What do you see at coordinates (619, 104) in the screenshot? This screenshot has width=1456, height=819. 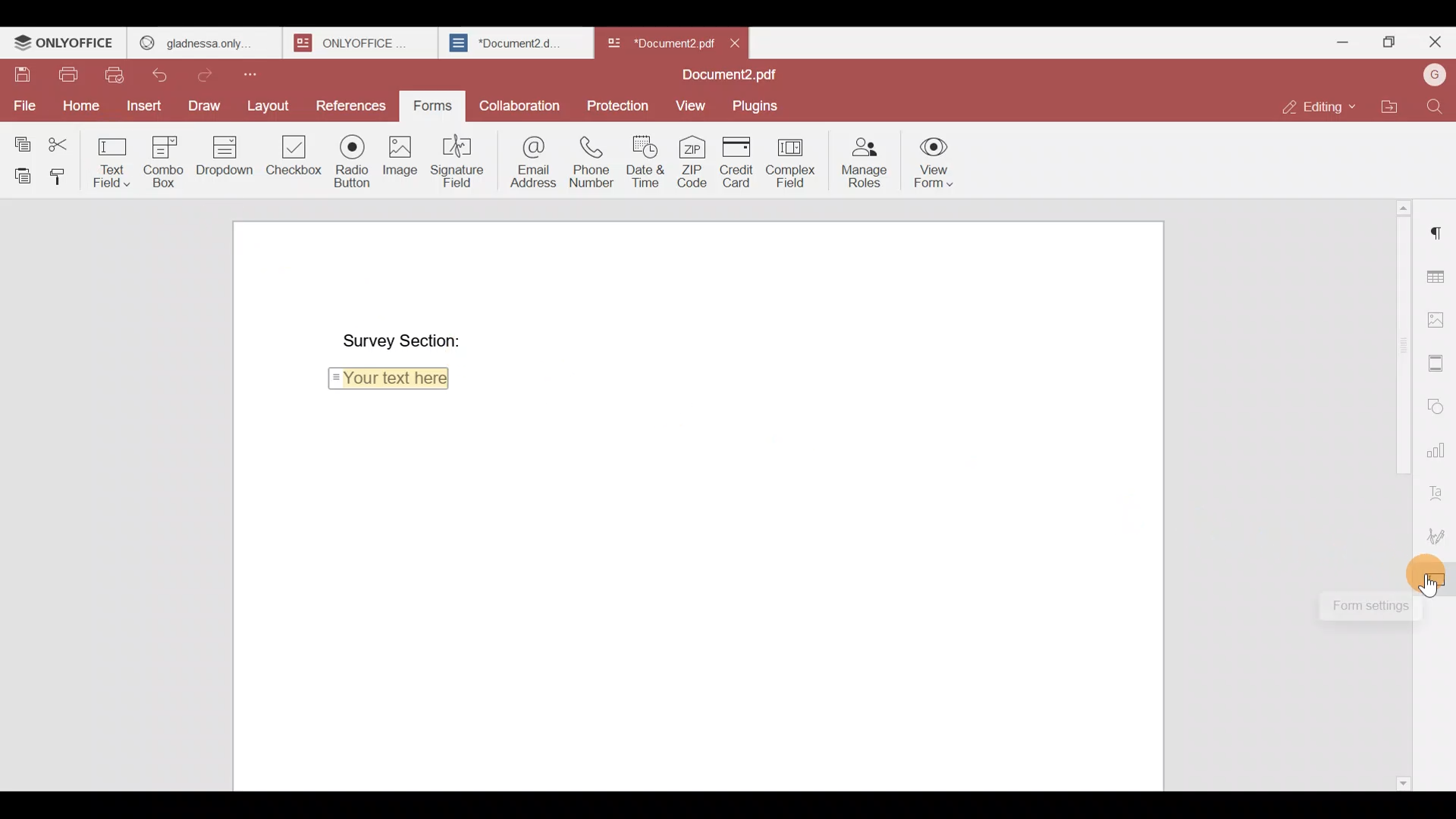 I see `Protection` at bounding box center [619, 104].